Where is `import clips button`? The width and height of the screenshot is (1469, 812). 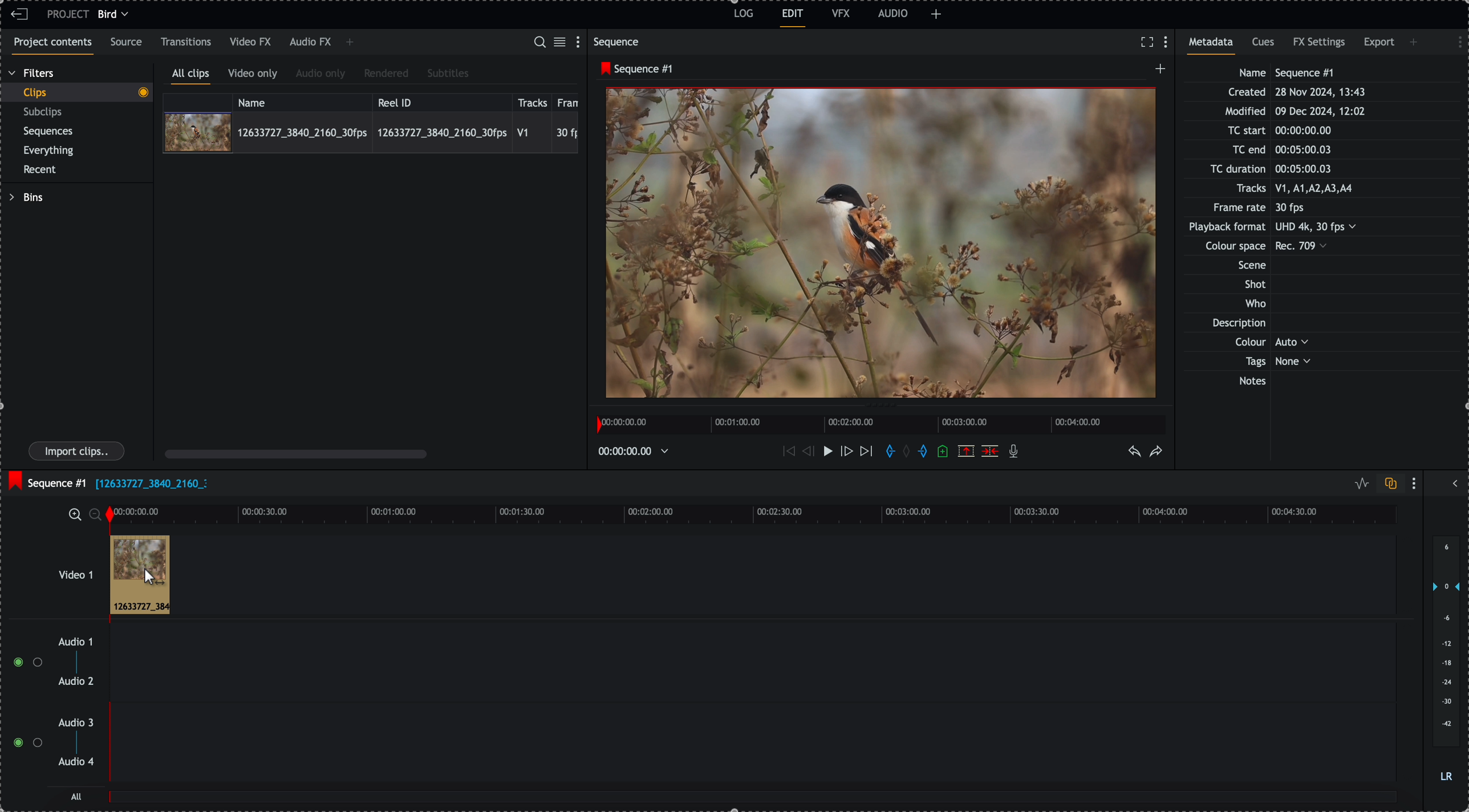
import clips button is located at coordinates (78, 452).